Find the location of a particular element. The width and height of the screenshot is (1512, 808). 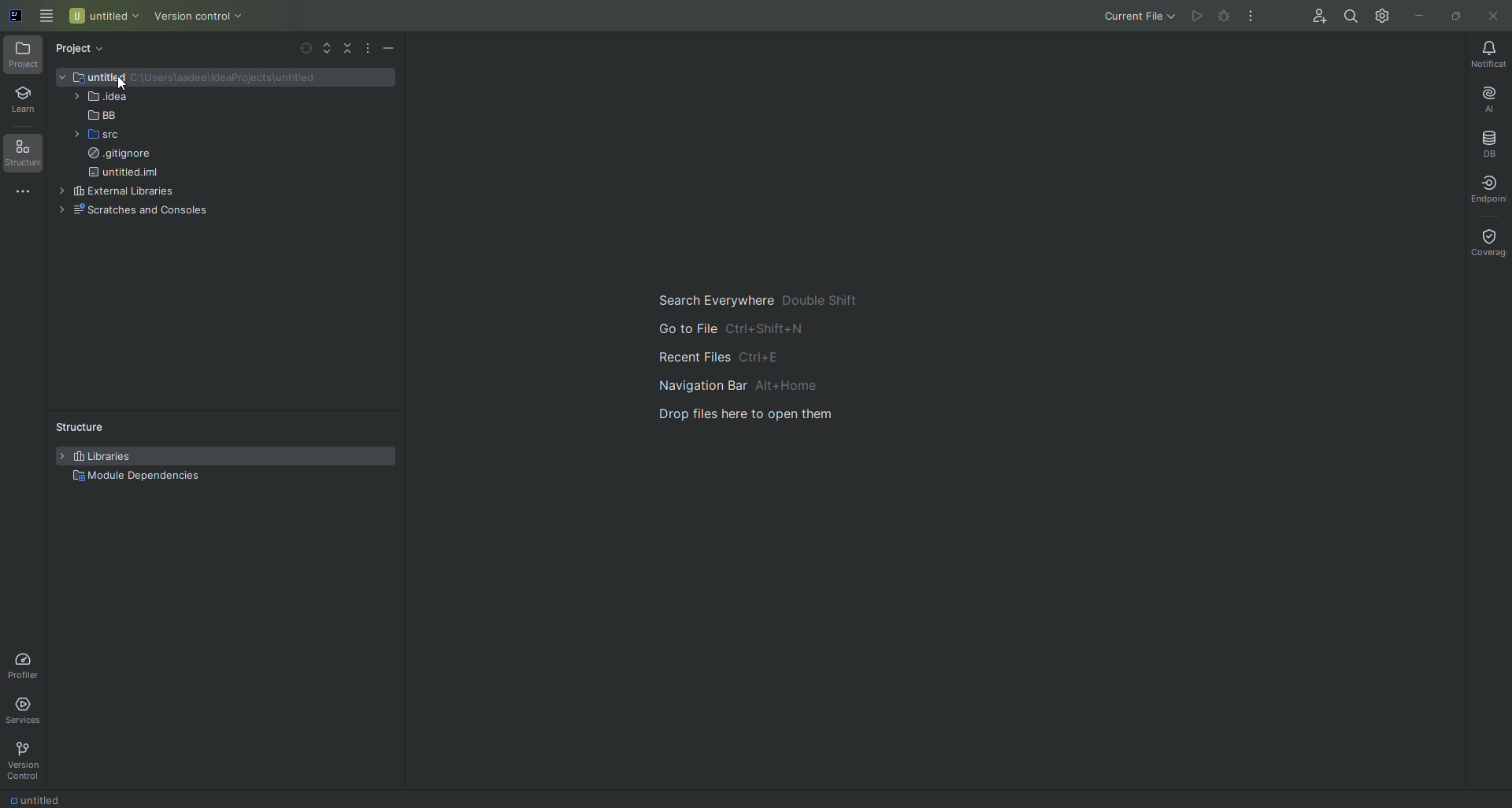

Main Menu is located at coordinates (46, 17).